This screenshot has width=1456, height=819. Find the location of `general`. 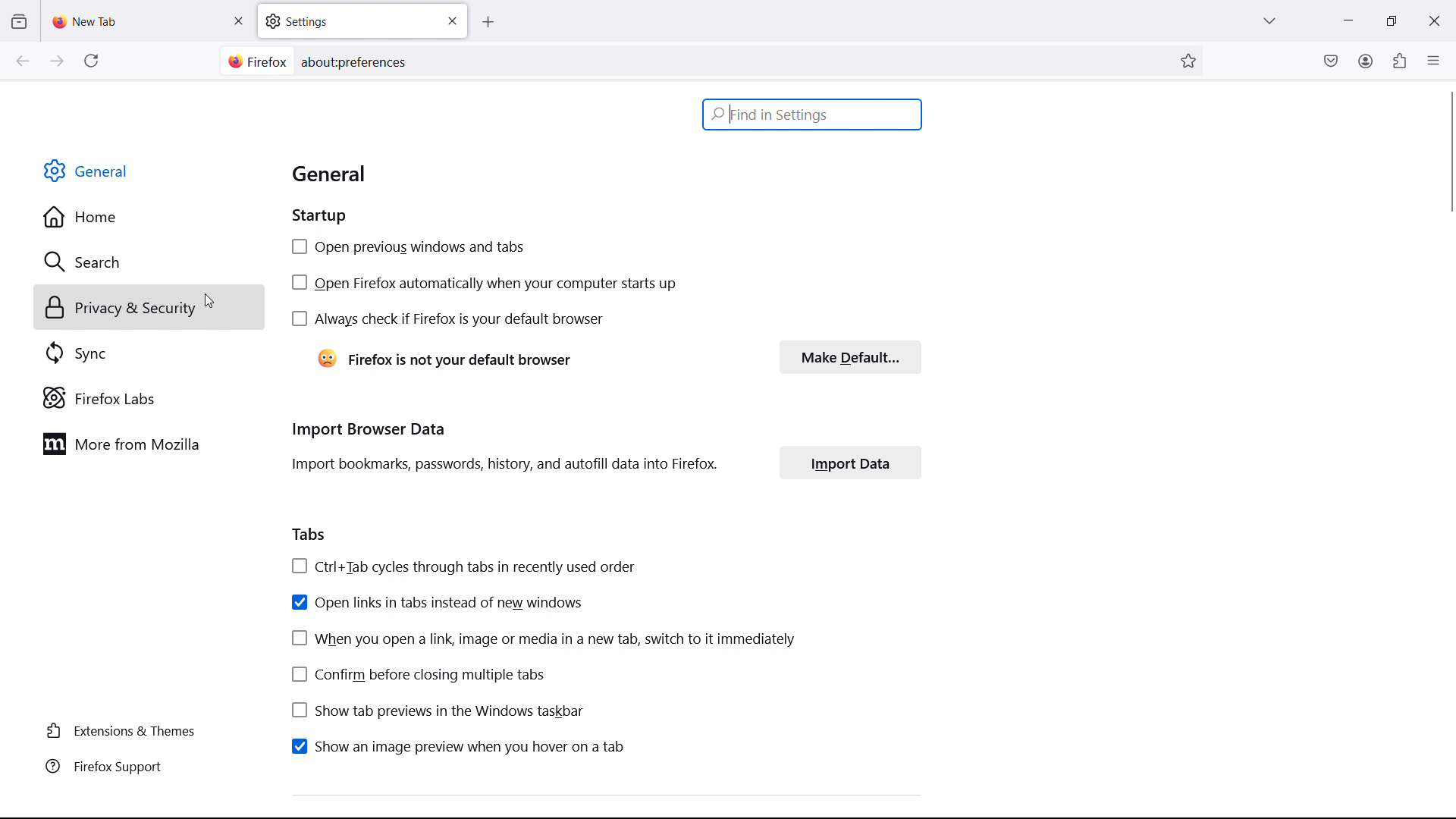

general is located at coordinates (143, 171).